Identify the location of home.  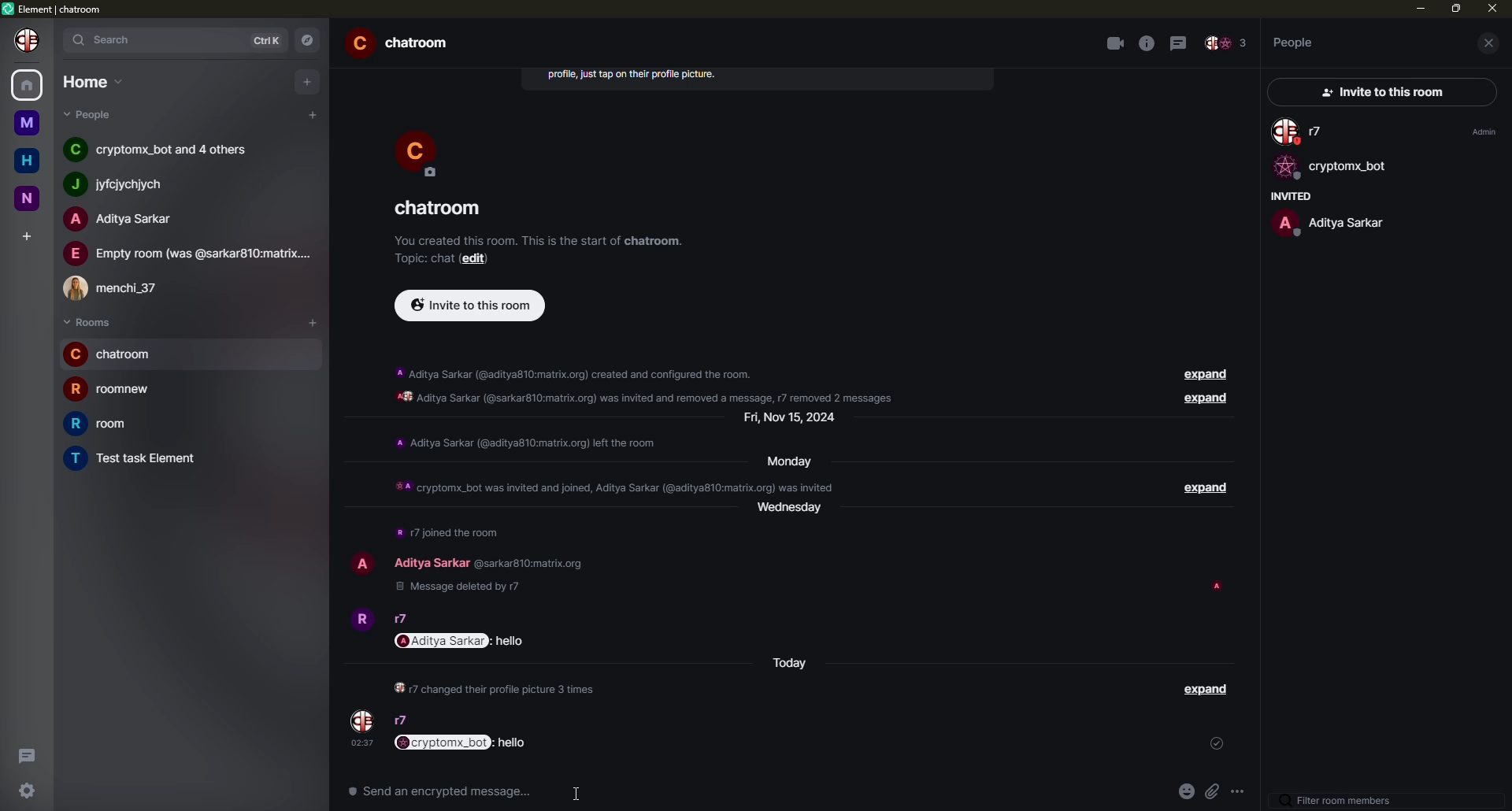
(28, 83).